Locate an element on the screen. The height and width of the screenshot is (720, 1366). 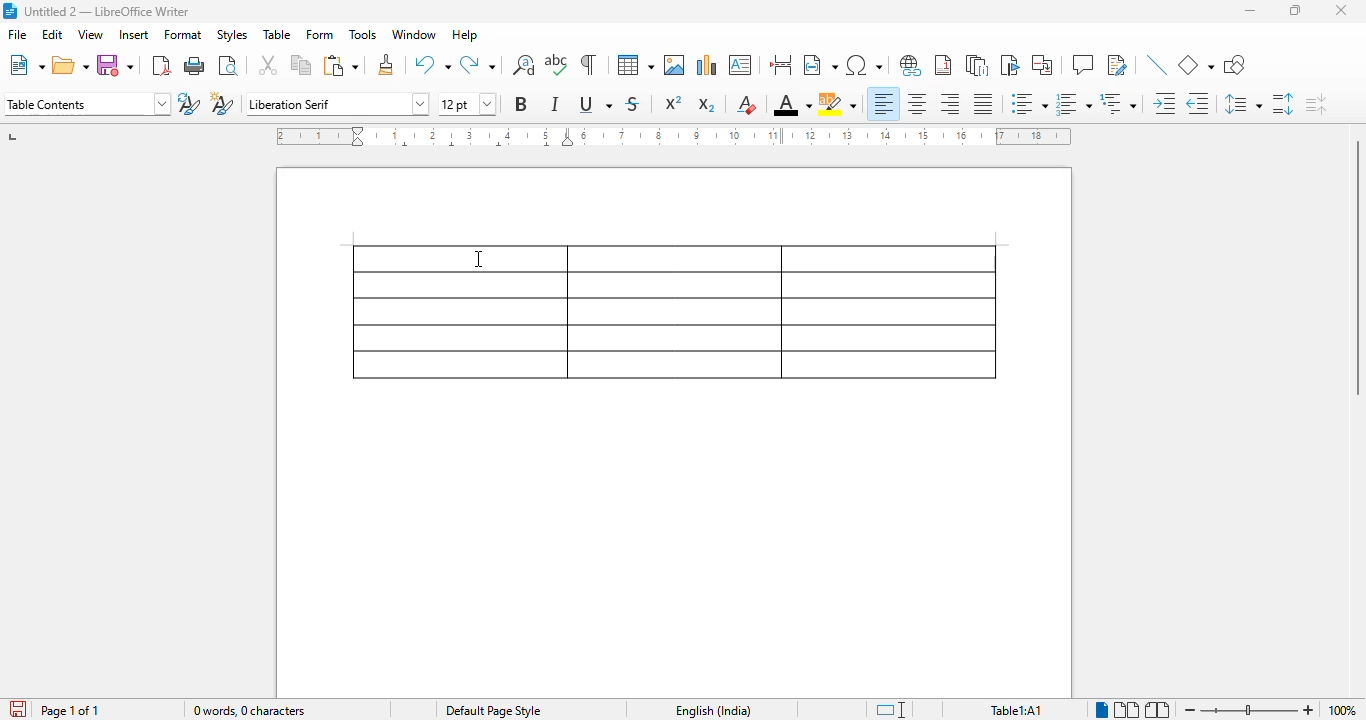
show draw functions is located at coordinates (1235, 65).